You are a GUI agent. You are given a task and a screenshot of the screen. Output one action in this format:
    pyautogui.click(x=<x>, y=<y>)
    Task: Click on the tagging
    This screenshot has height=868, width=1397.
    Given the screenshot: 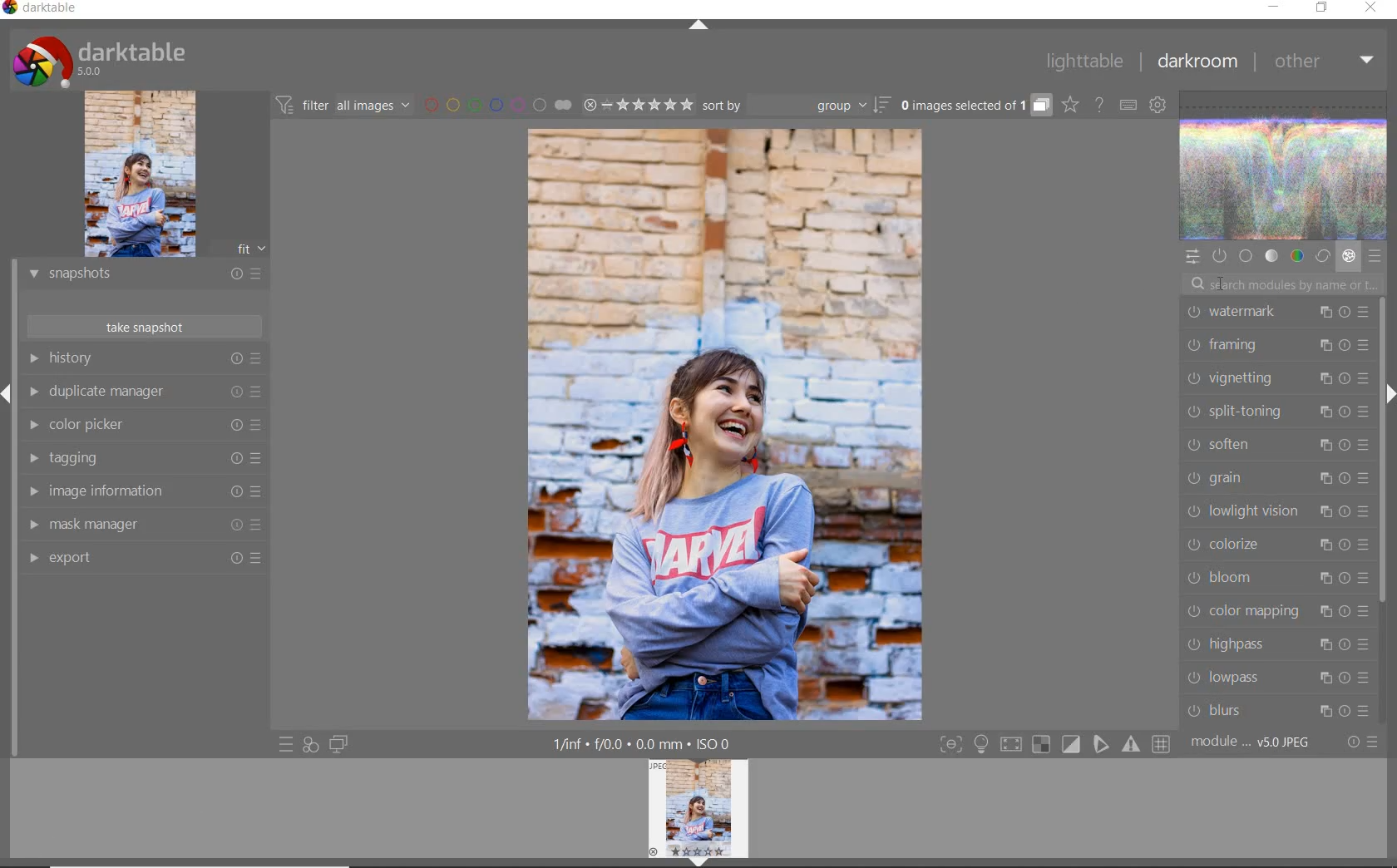 What is the action you would take?
    pyautogui.click(x=144, y=460)
    